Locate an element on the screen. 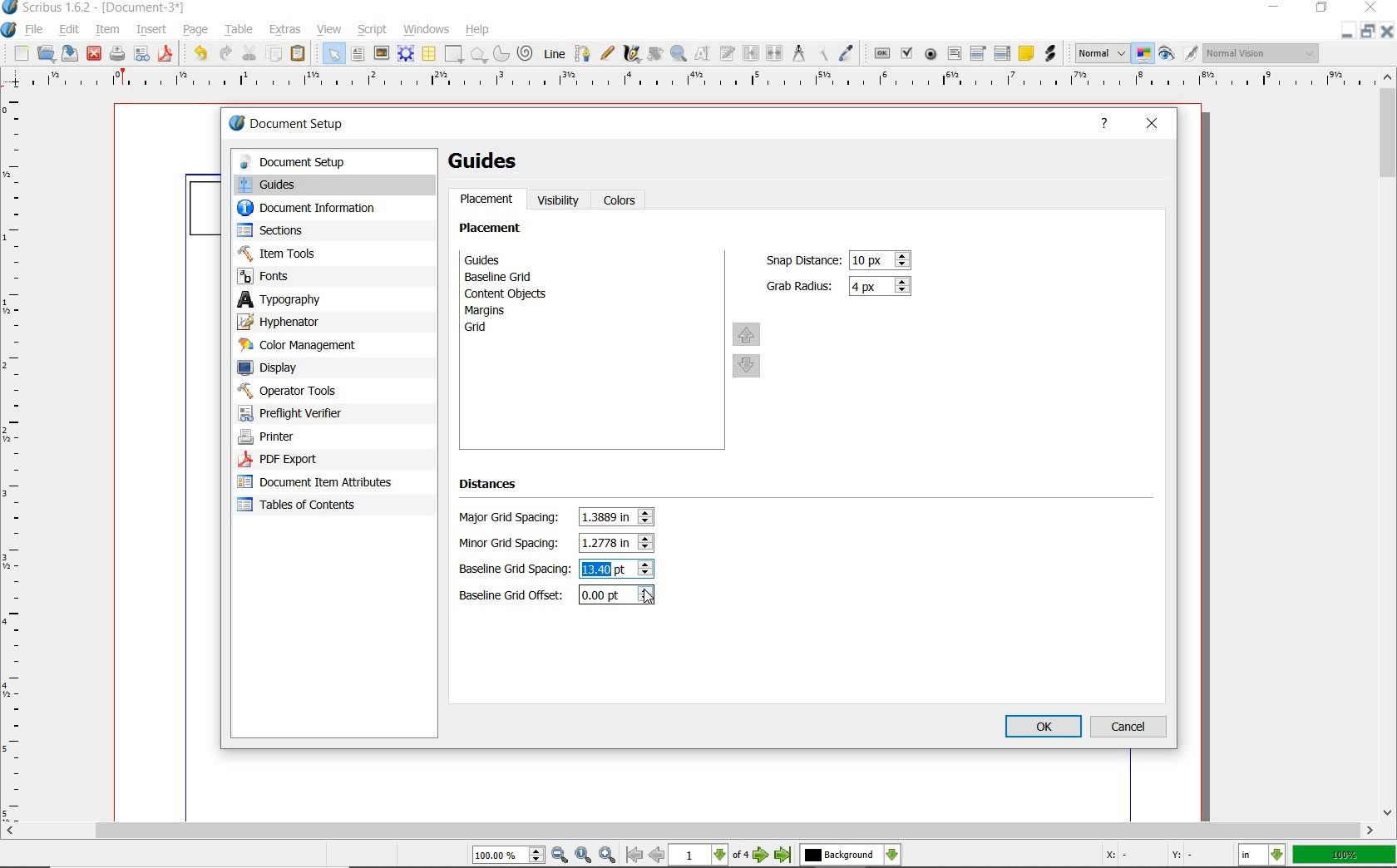  grab radius is located at coordinates (883, 287).